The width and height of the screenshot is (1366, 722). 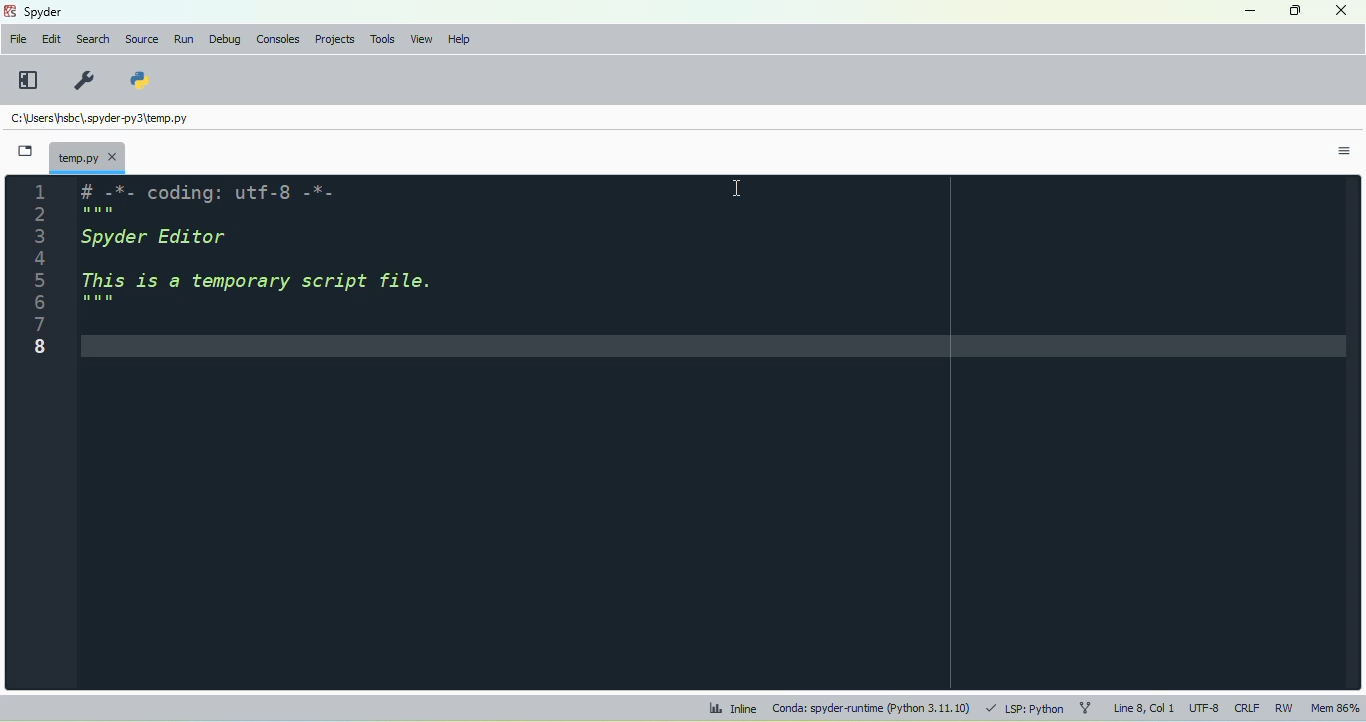 What do you see at coordinates (93, 39) in the screenshot?
I see `search` at bounding box center [93, 39].